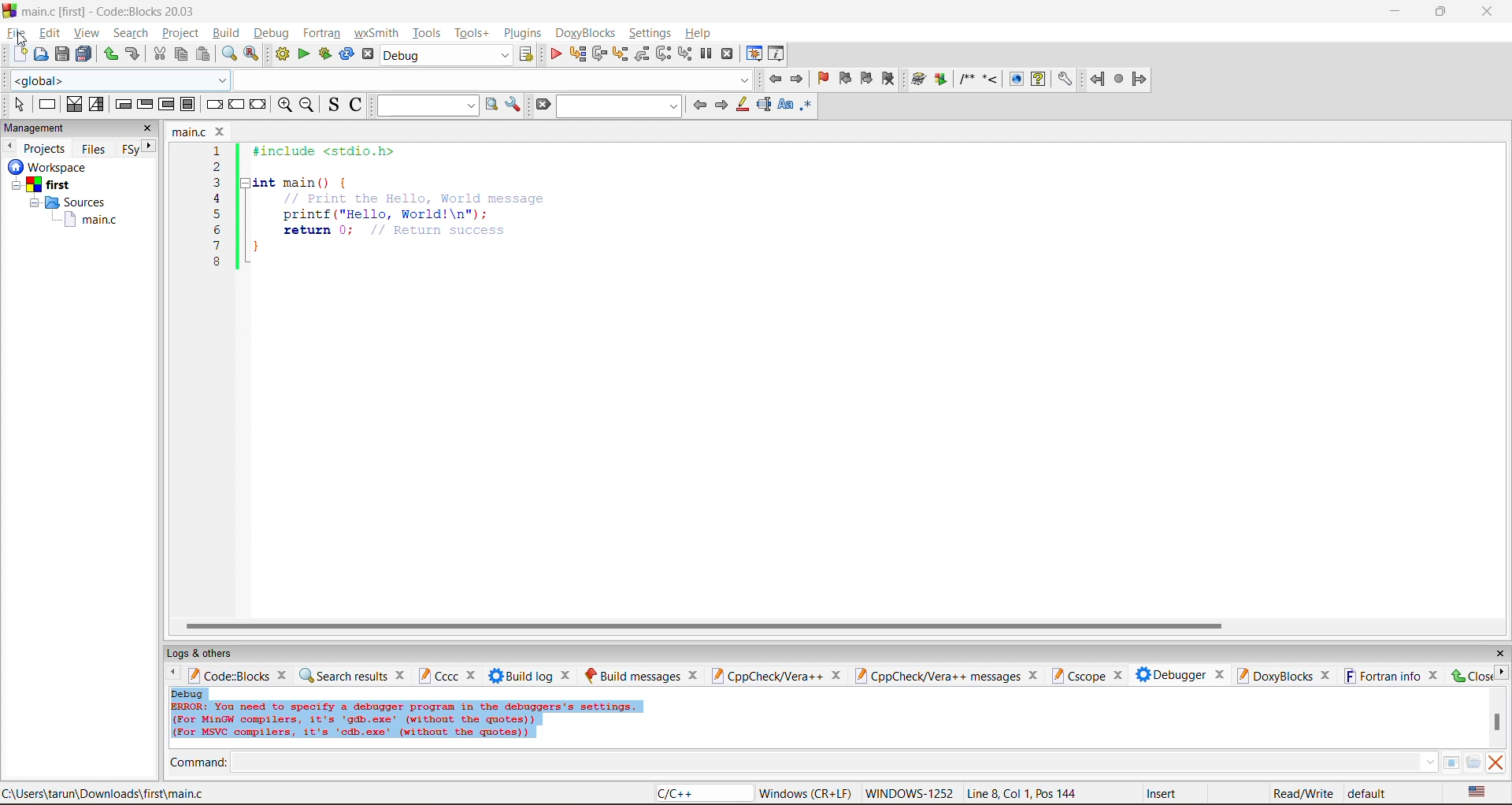 The image size is (1512, 805). What do you see at coordinates (1036, 675) in the screenshot?
I see `close` at bounding box center [1036, 675].